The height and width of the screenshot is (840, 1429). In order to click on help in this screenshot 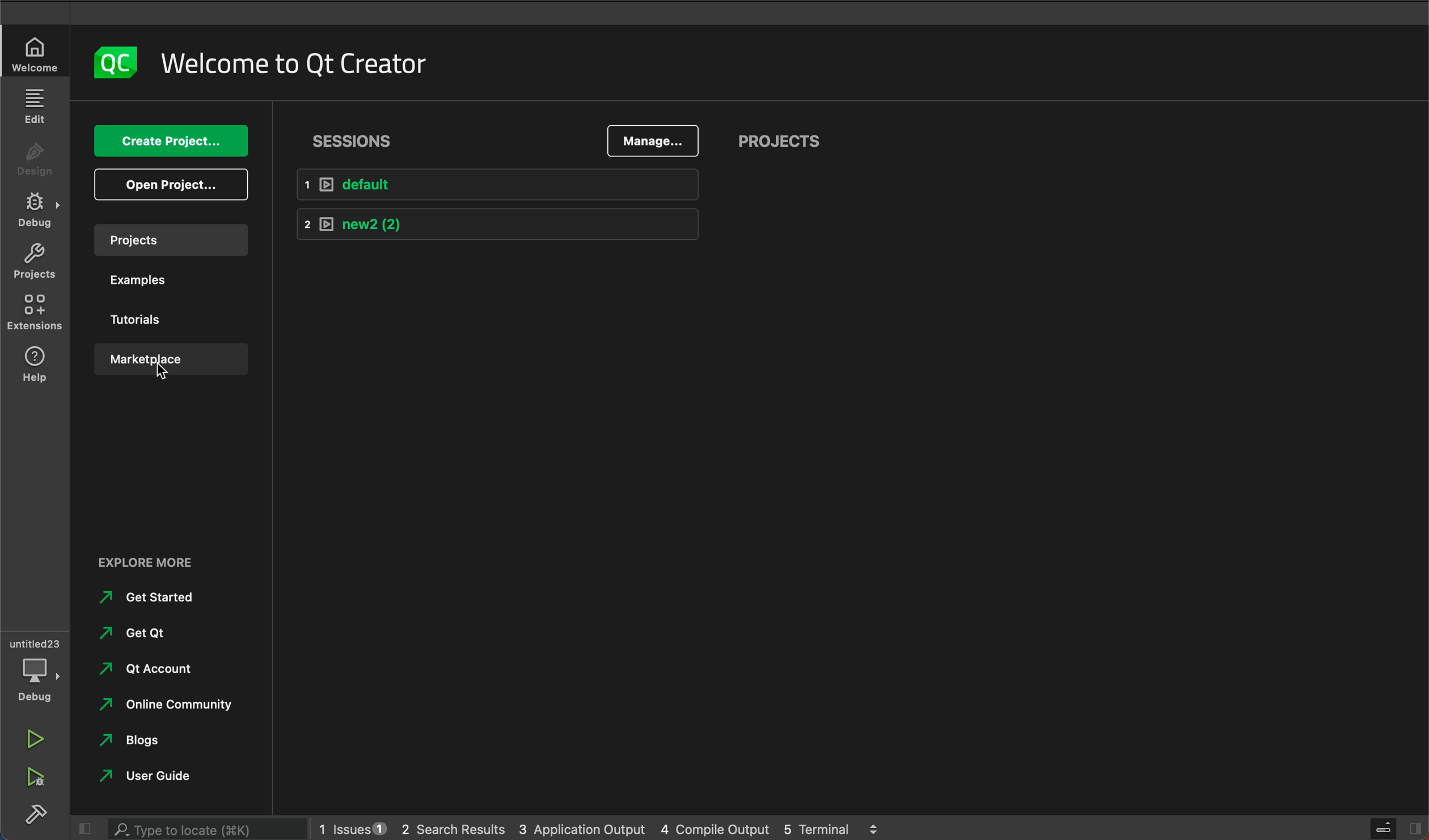, I will do `click(34, 364)`.